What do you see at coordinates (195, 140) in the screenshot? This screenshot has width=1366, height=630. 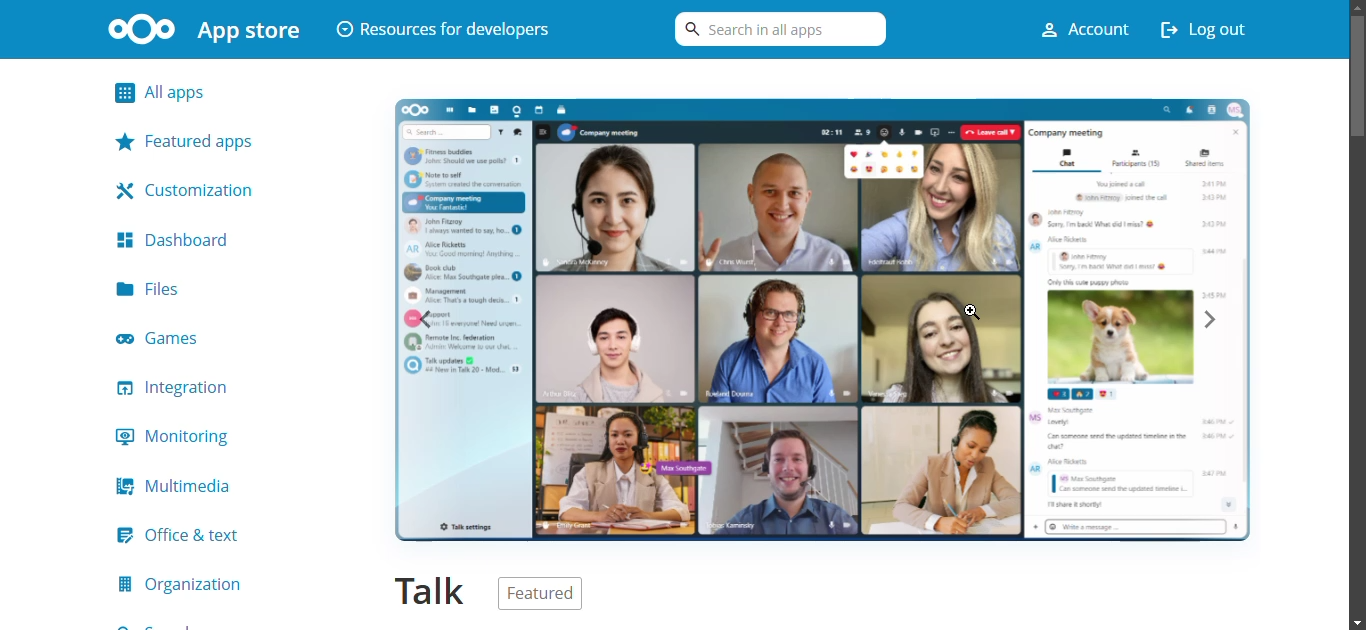 I see `featured apps` at bounding box center [195, 140].